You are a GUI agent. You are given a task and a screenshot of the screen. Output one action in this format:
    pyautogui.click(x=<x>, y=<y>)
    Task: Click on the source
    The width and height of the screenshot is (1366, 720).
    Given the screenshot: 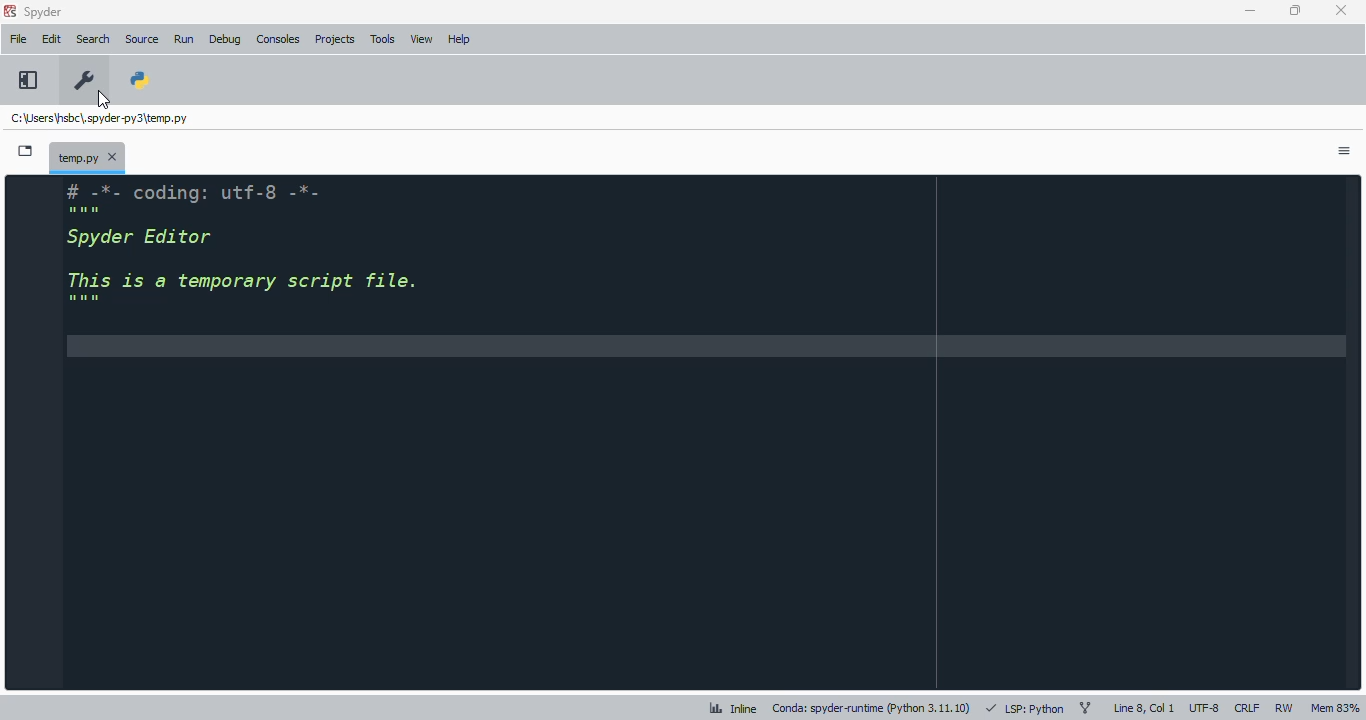 What is the action you would take?
    pyautogui.click(x=142, y=39)
    